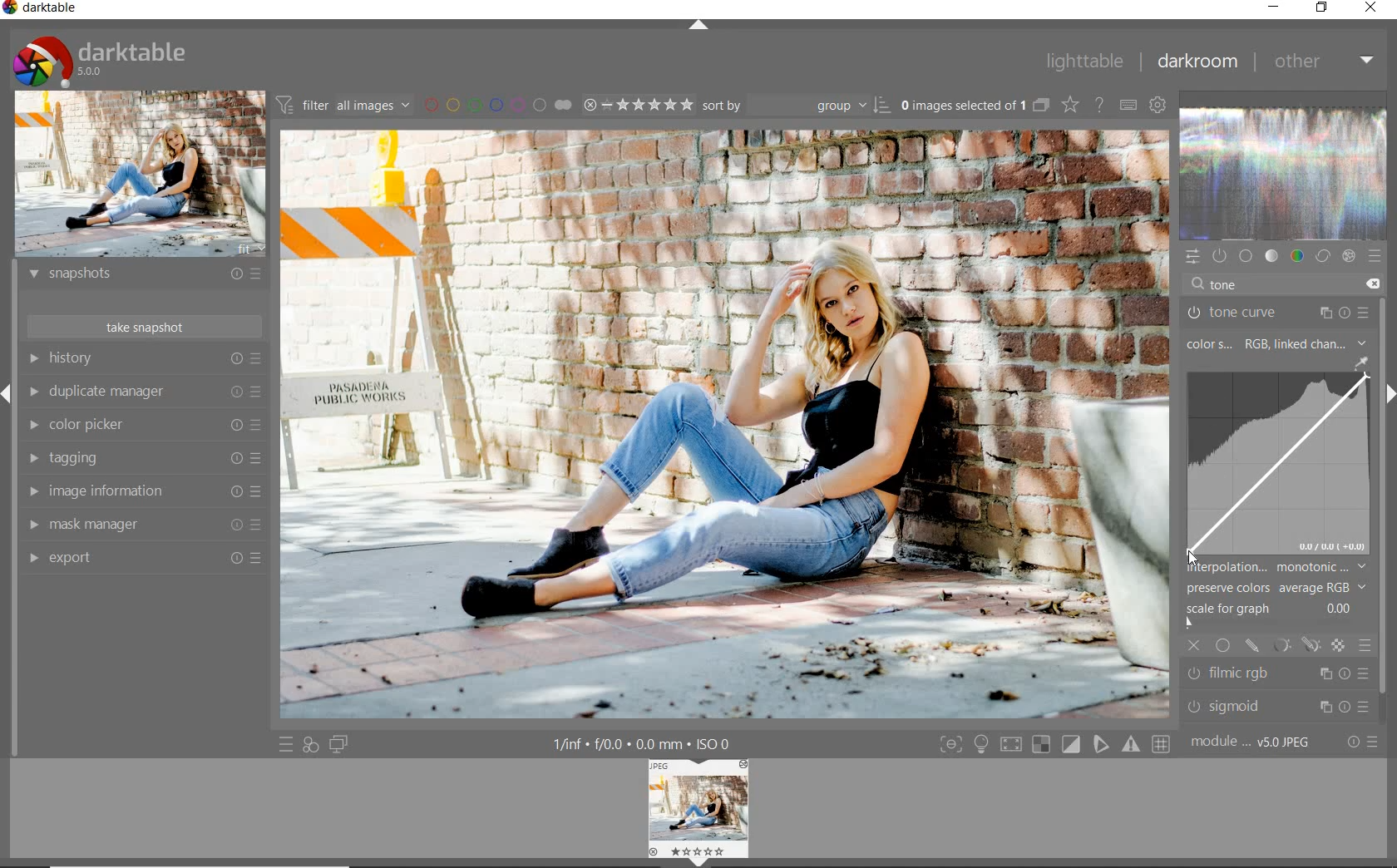  Describe the element at coordinates (1366, 648) in the screenshot. I see `blending options` at that location.